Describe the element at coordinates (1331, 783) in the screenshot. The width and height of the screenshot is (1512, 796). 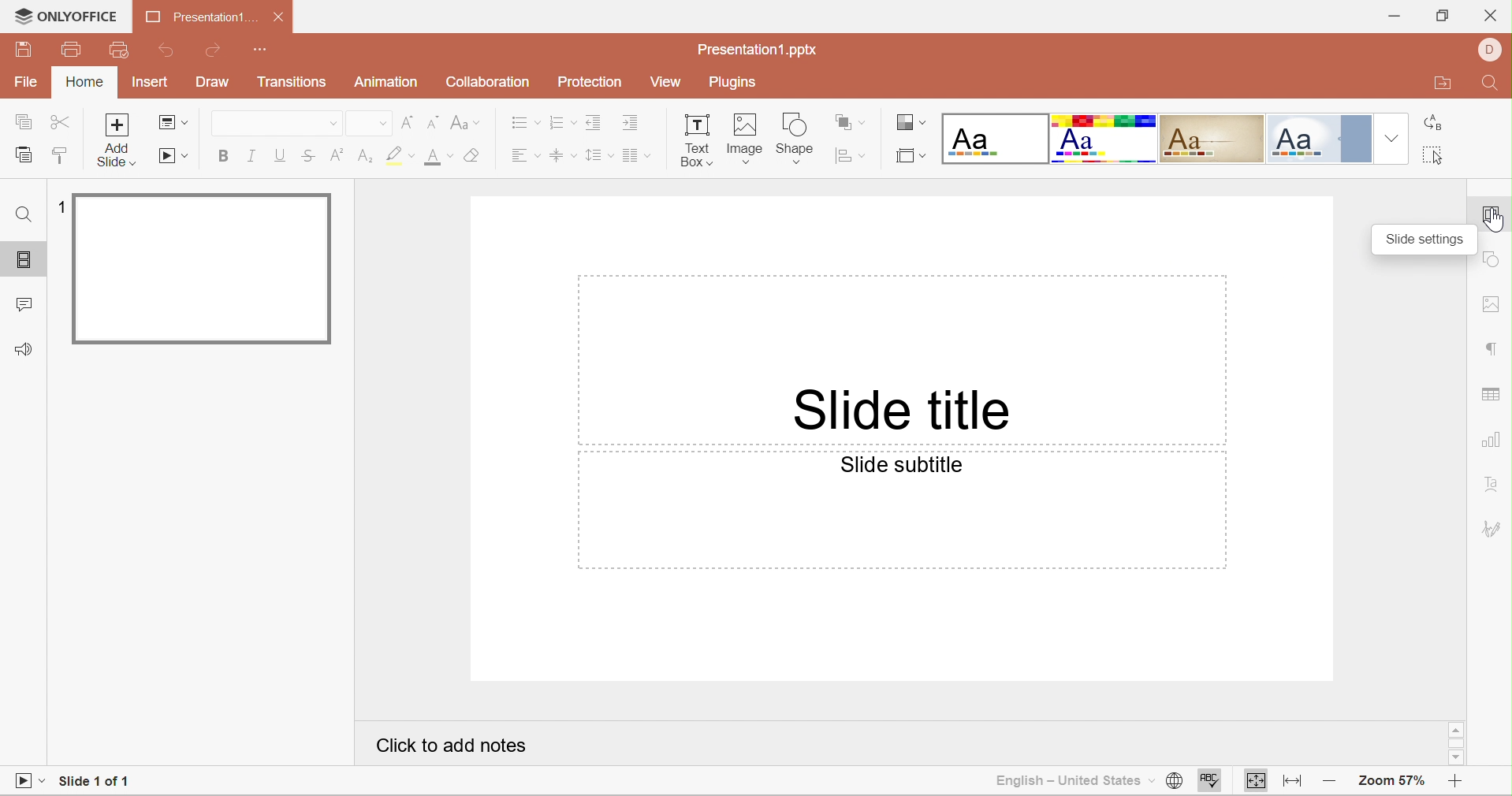
I see `Zoom out` at that location.